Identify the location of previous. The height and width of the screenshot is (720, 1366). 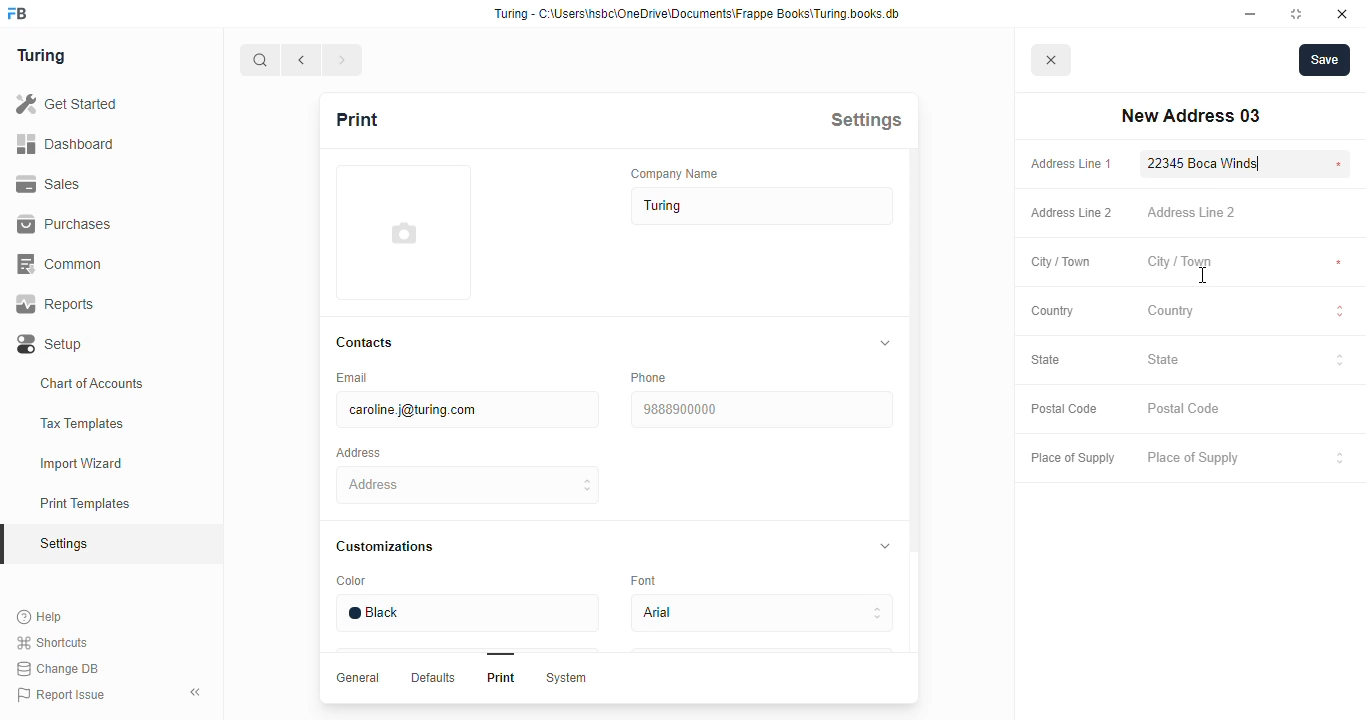
(302, 60).